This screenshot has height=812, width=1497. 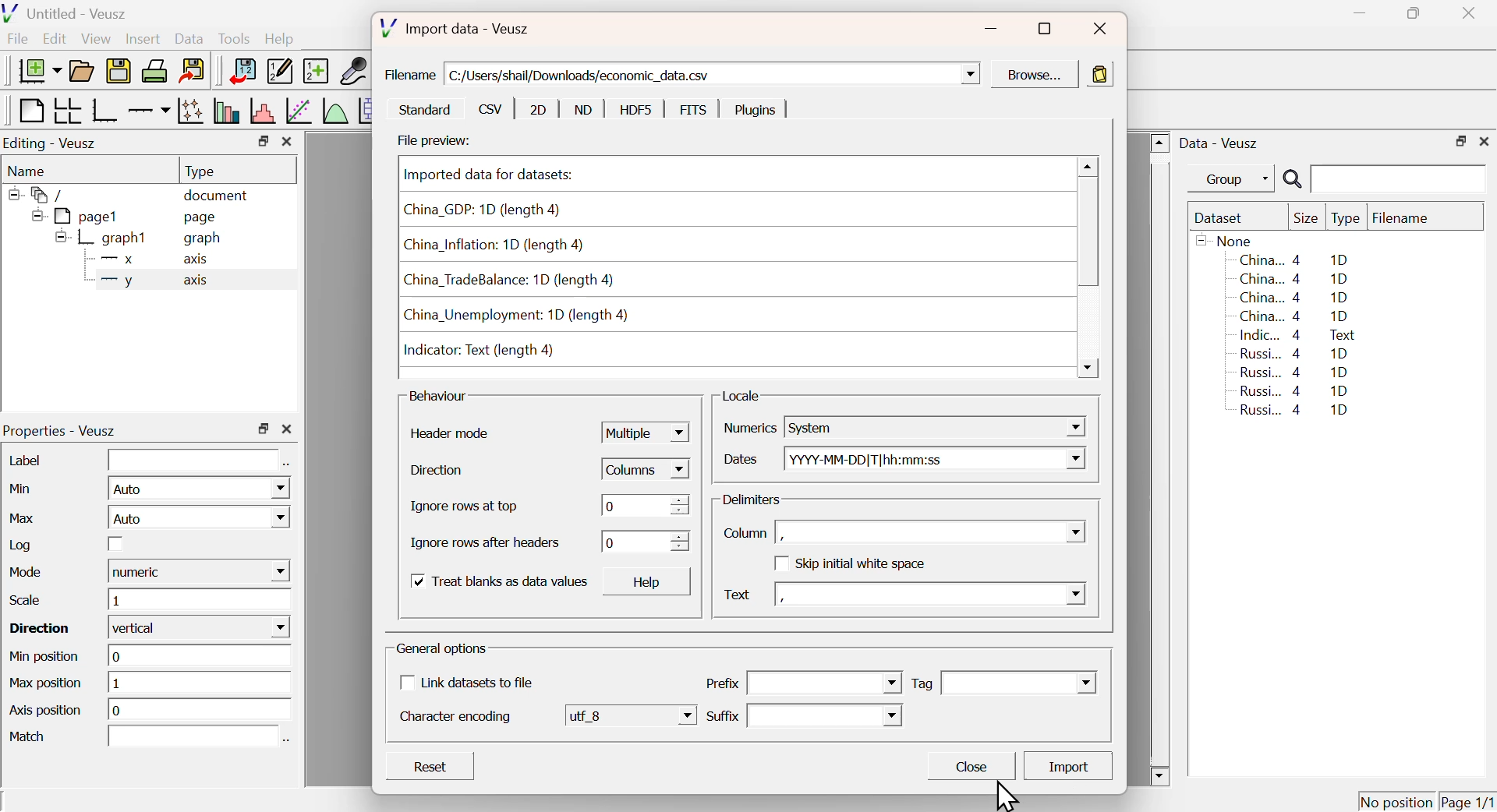 What do you see at coordinates (24, 600) in the screenshot?
I see `Scale` at bounding box center [24, 600].